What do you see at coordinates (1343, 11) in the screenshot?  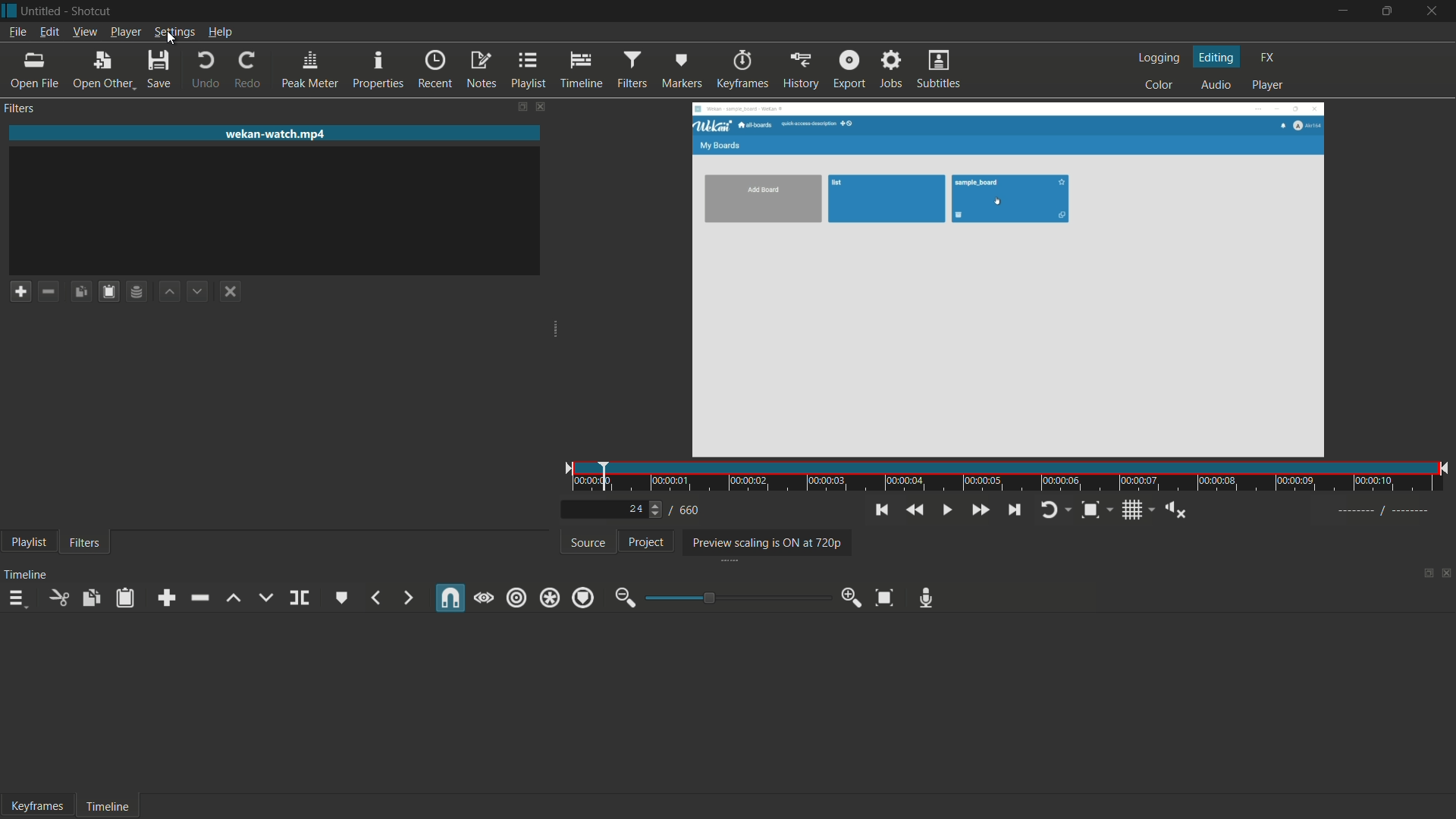 I see `minimize` at bounding box center [1343, 11].